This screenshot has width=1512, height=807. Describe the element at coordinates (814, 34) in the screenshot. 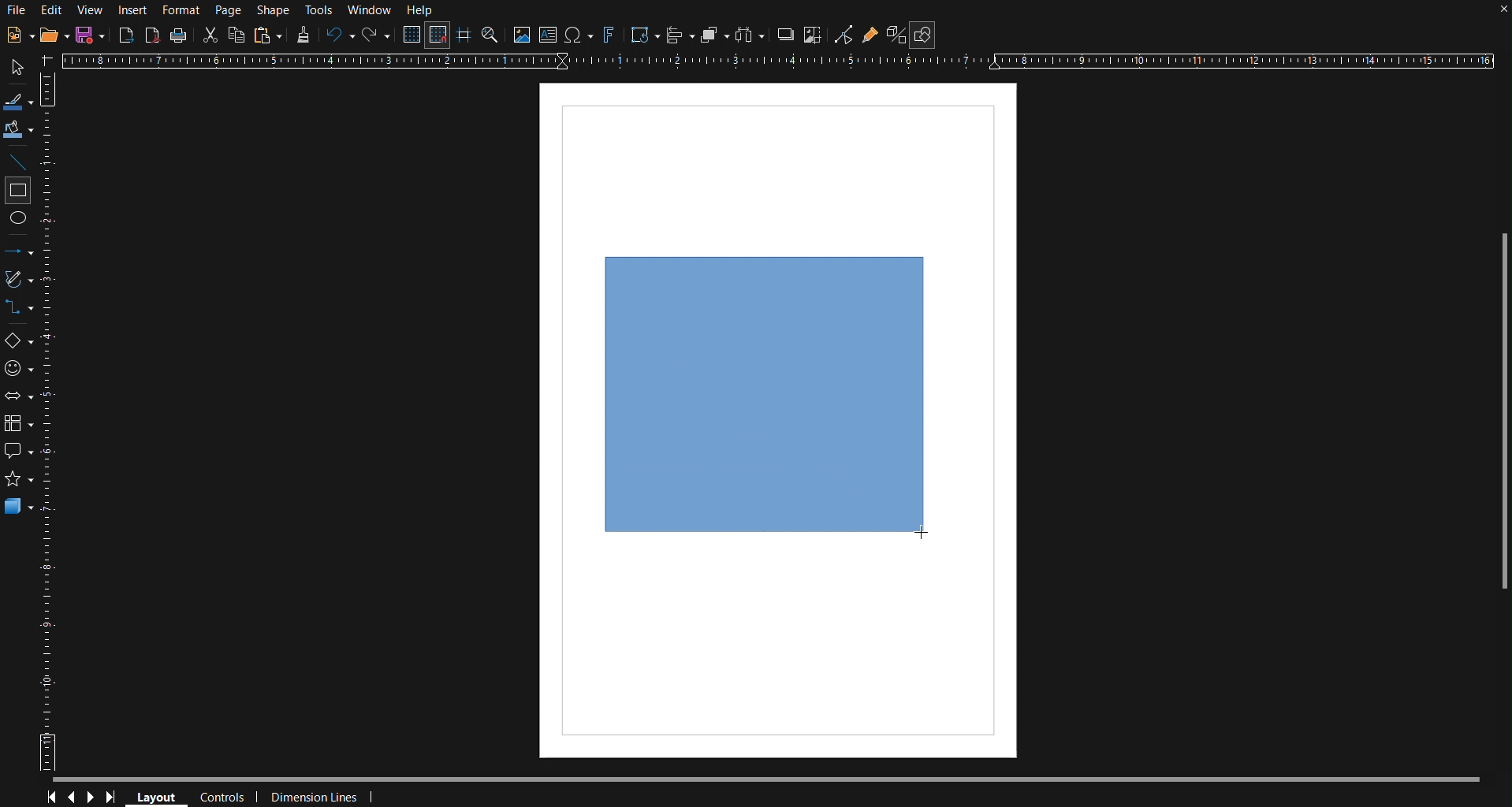

I see `Crop Images` at that location.